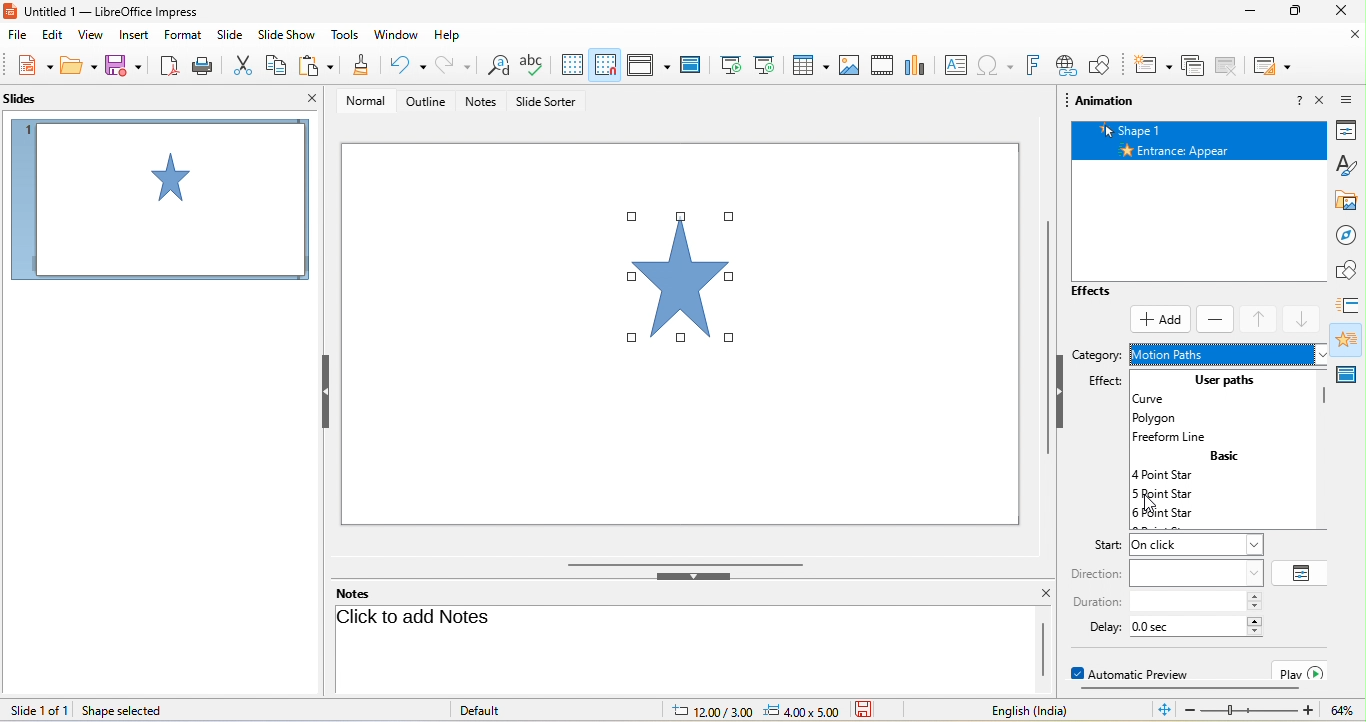  I want to click on curve, so click(1162, 399).